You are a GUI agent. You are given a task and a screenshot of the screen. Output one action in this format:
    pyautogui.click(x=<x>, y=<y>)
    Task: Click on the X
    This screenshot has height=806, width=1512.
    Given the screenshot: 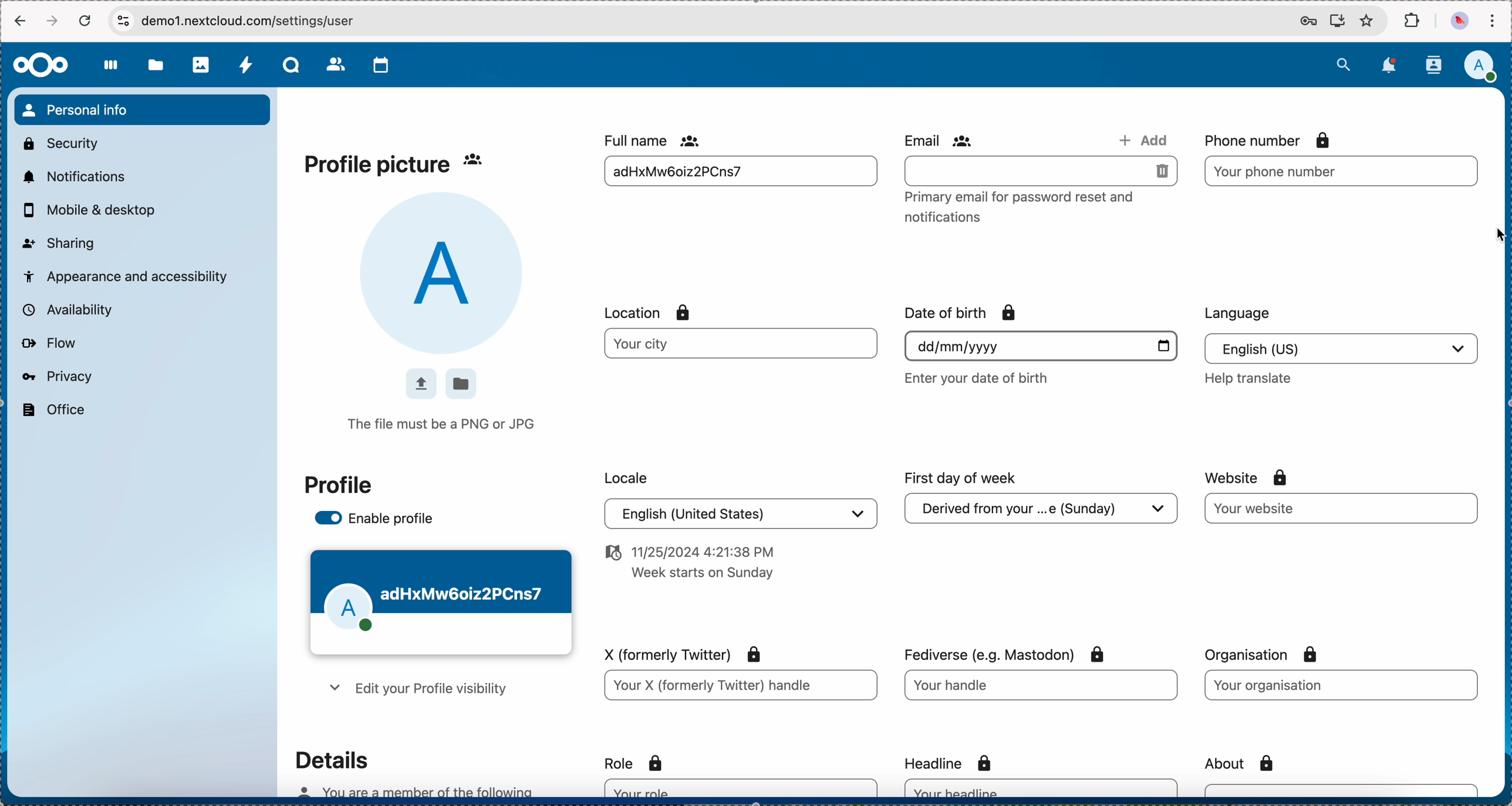 What is the action you would take?
    pyautogui.click(x=685, y=655)
    